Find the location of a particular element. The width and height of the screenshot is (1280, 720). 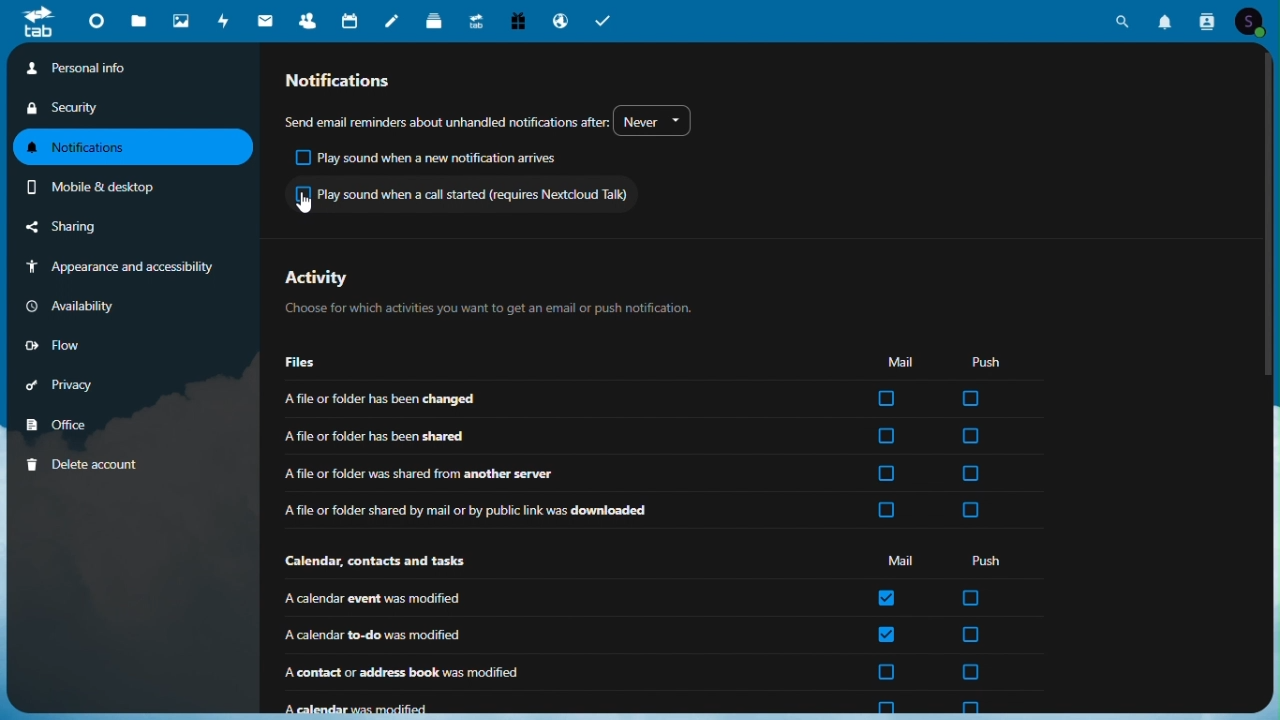

Email hosting is located at coordinates (562, 19).